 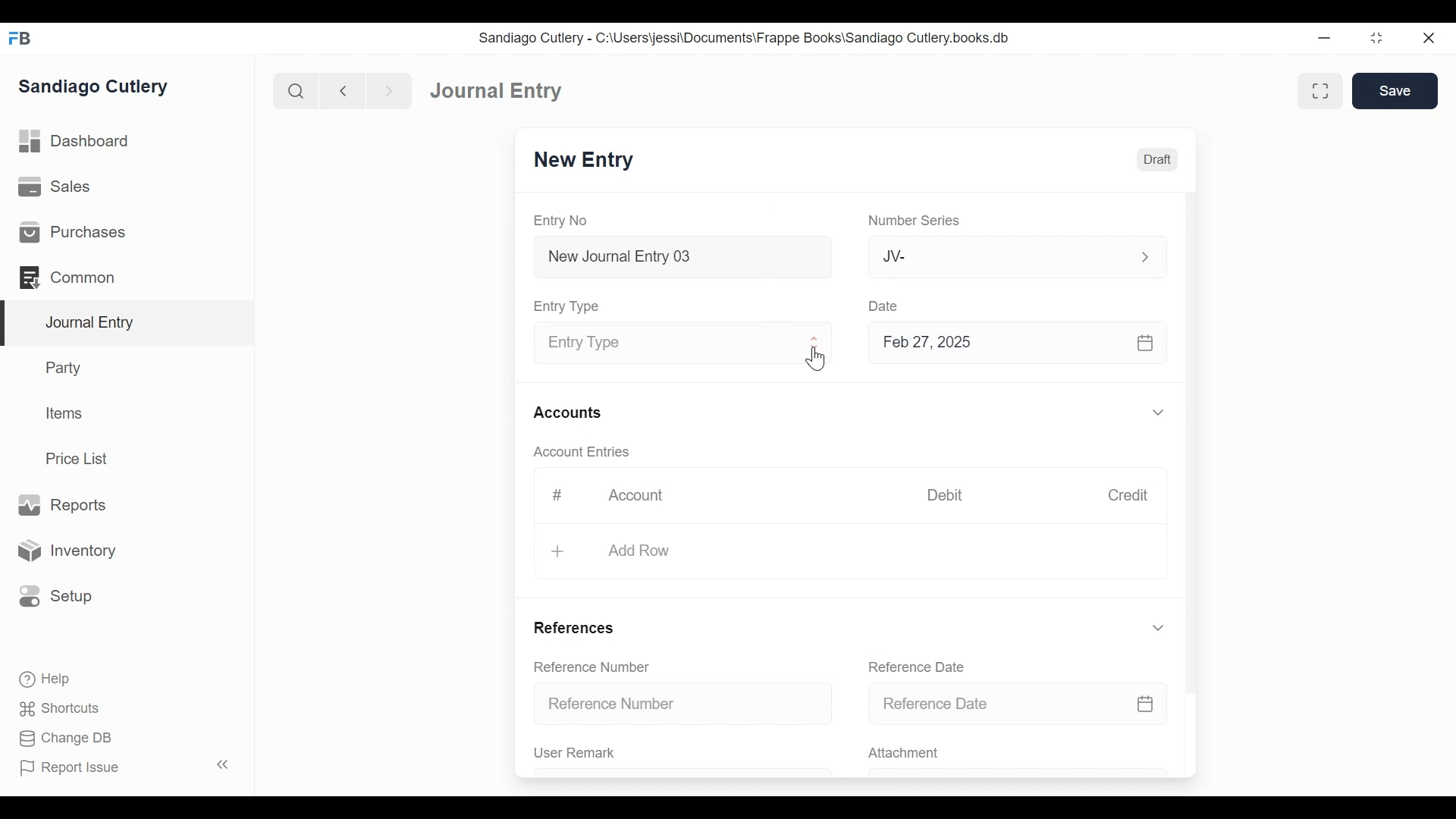 What do you see at coordinates (576, 629) in the screenshot?
I see `References` at bounding box center [576, 629].